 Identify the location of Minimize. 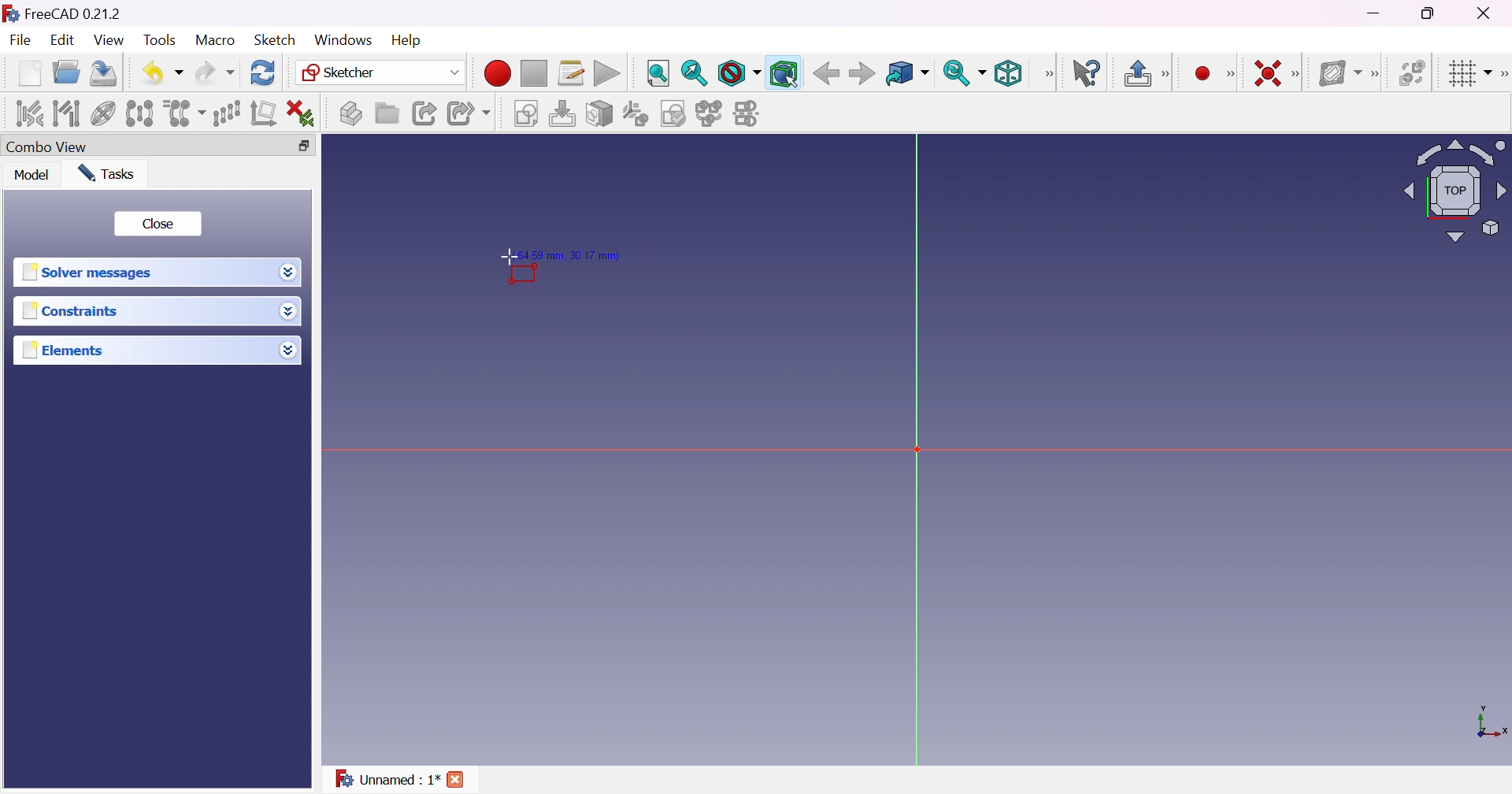
(1374, 13).